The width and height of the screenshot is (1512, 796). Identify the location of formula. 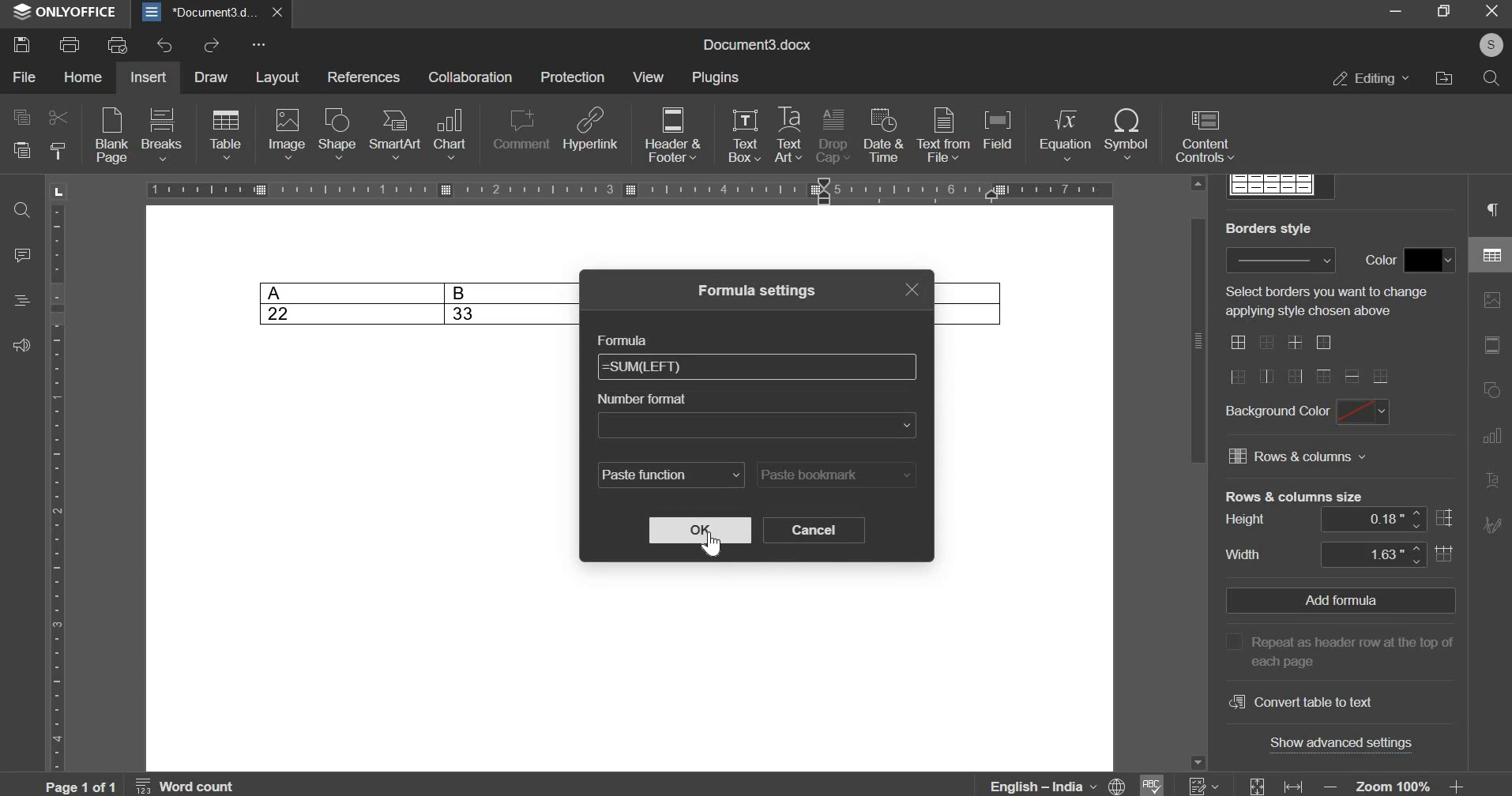
(619, 338).